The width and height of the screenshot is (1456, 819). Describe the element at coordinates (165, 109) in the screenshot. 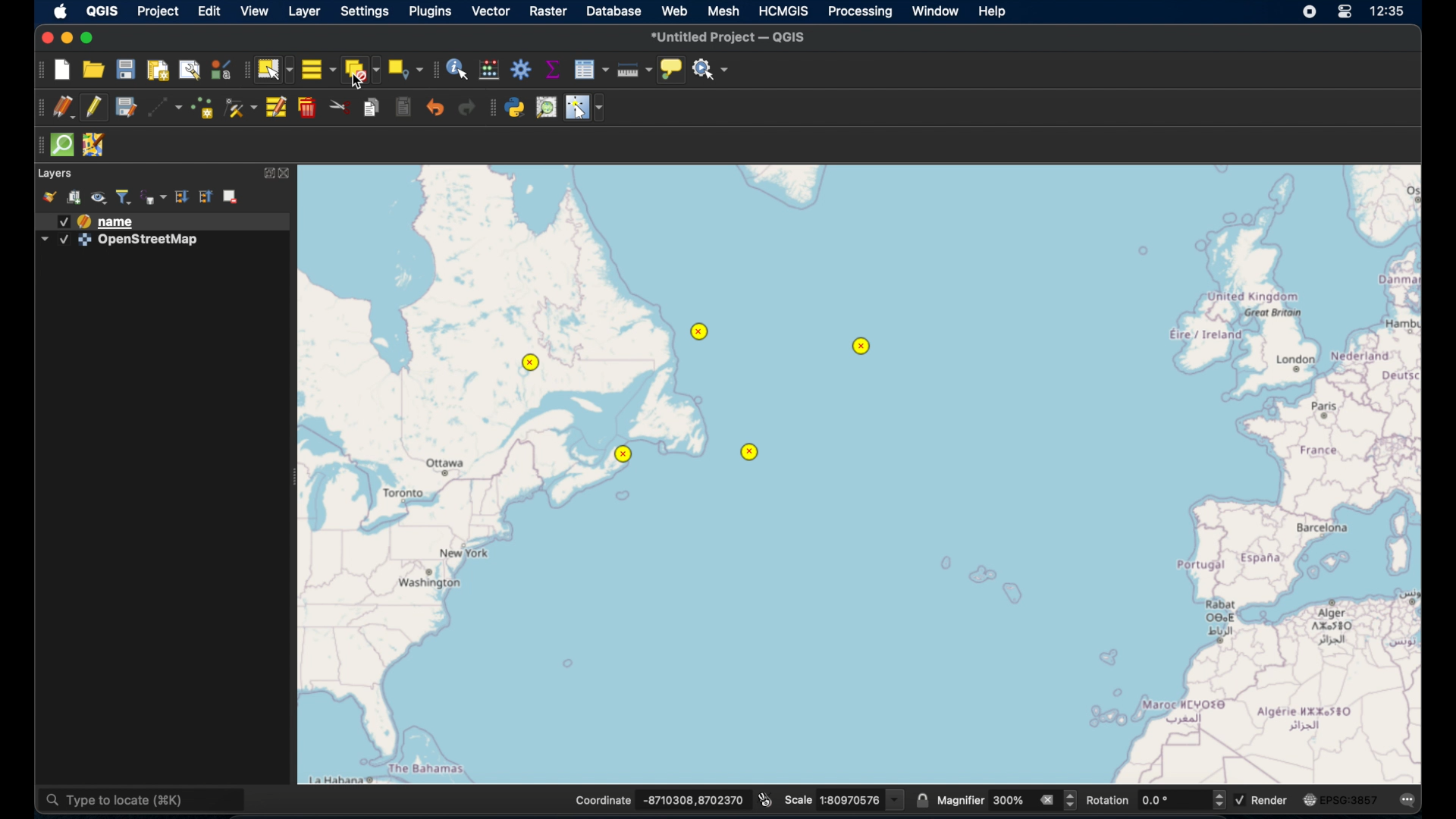

I see `digitize with segment` at that location.